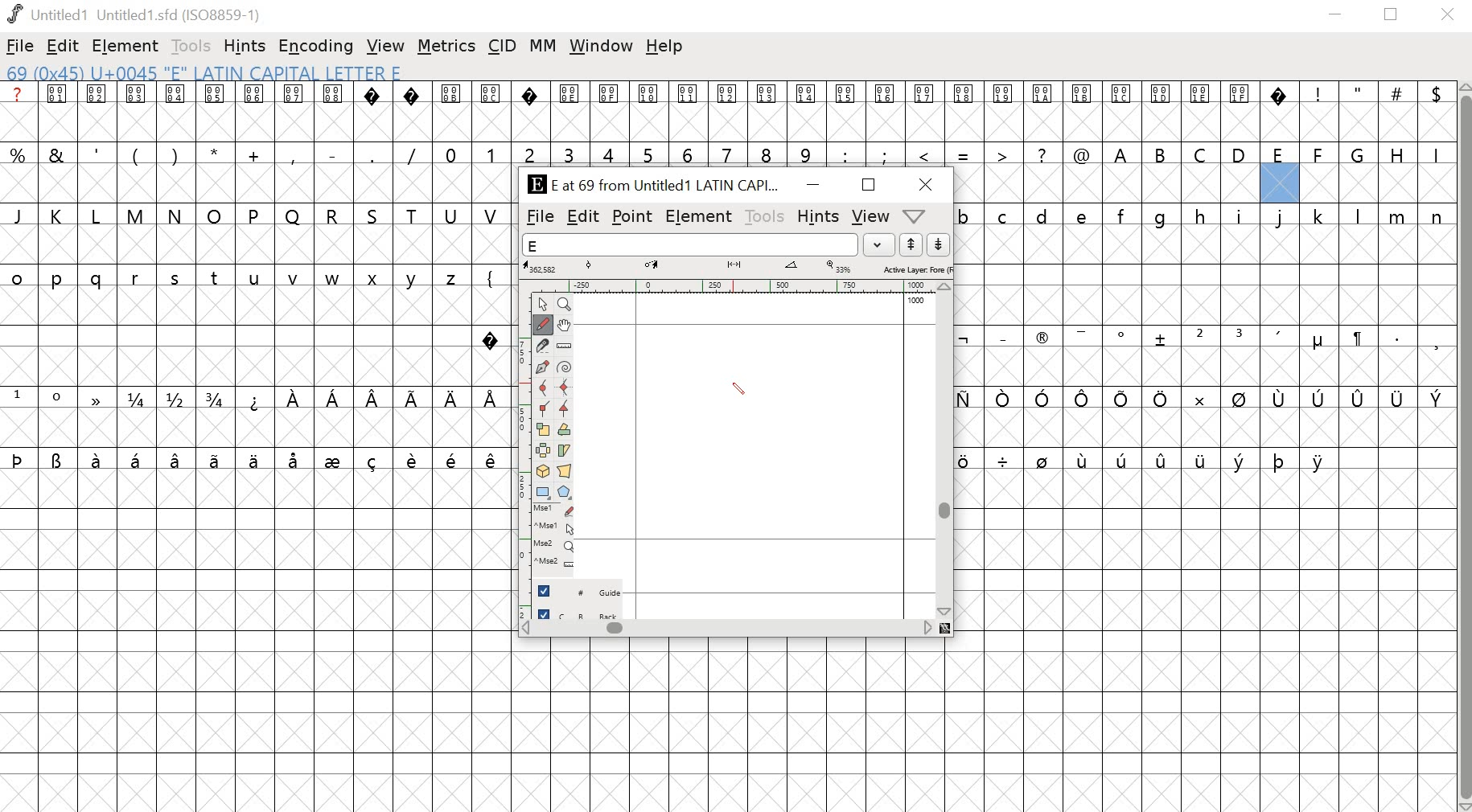 This screenshot has width=1472, height=812. Describe the element at coordinates (563, 409) in the screenshot. I see `Tangent` at that location.